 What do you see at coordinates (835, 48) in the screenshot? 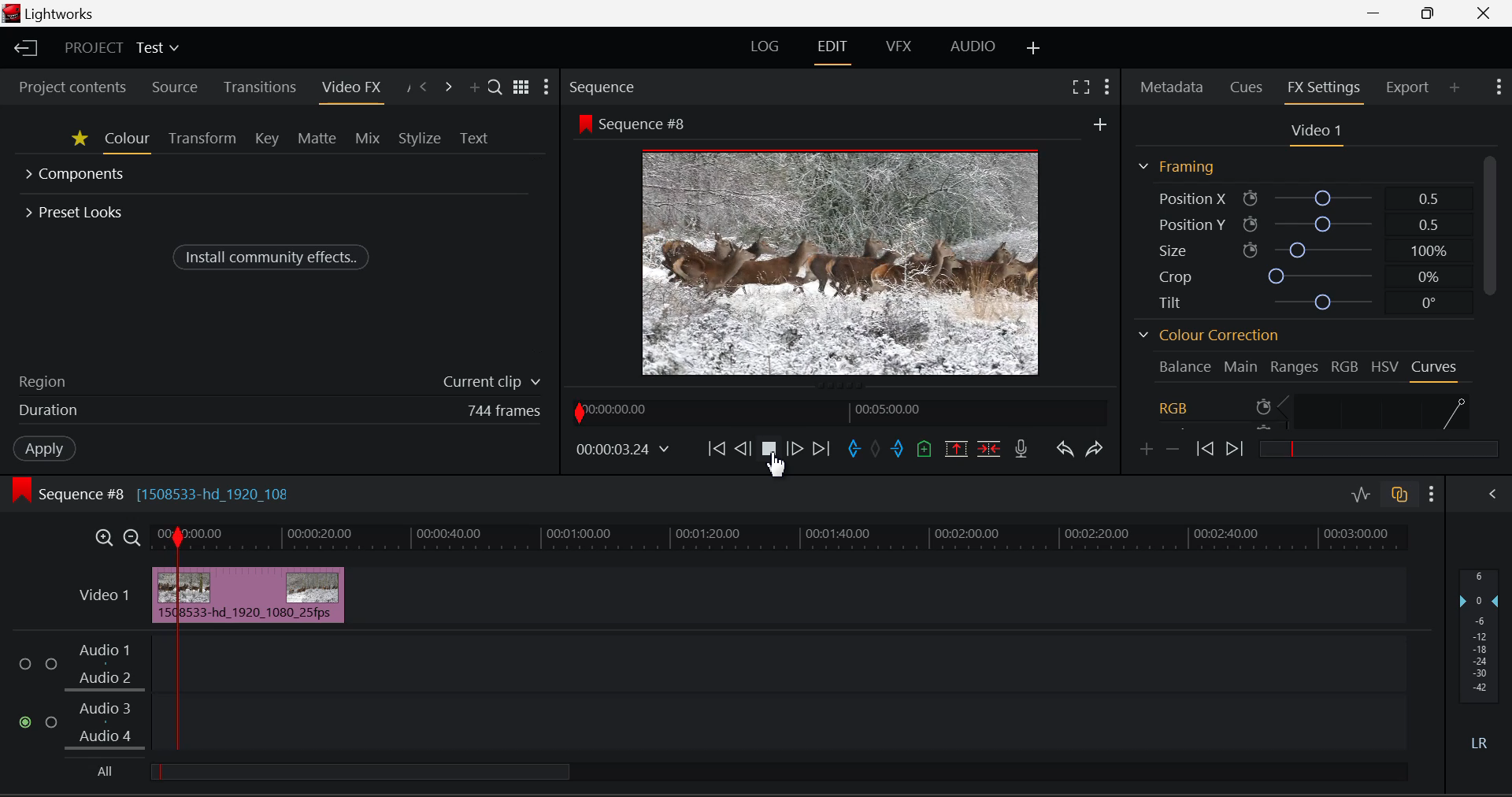
I see `EDIT Layout Open` at bounding box center [835, 48].